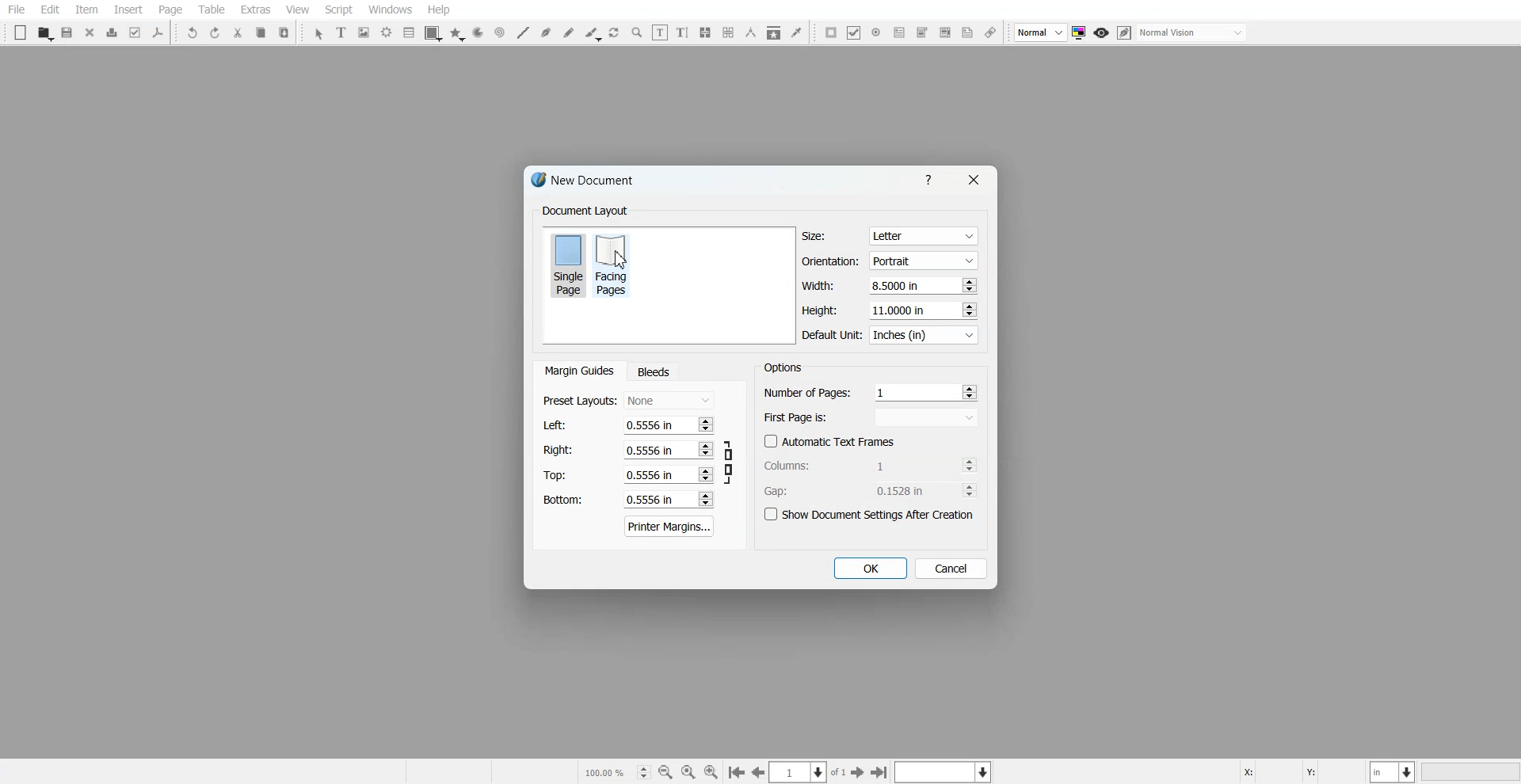 This screenshot has width=1521, height=784. What do you see at coordinates (751, 32) in the screenshot?
I see `Measurement` at bounding box center [751, 32].